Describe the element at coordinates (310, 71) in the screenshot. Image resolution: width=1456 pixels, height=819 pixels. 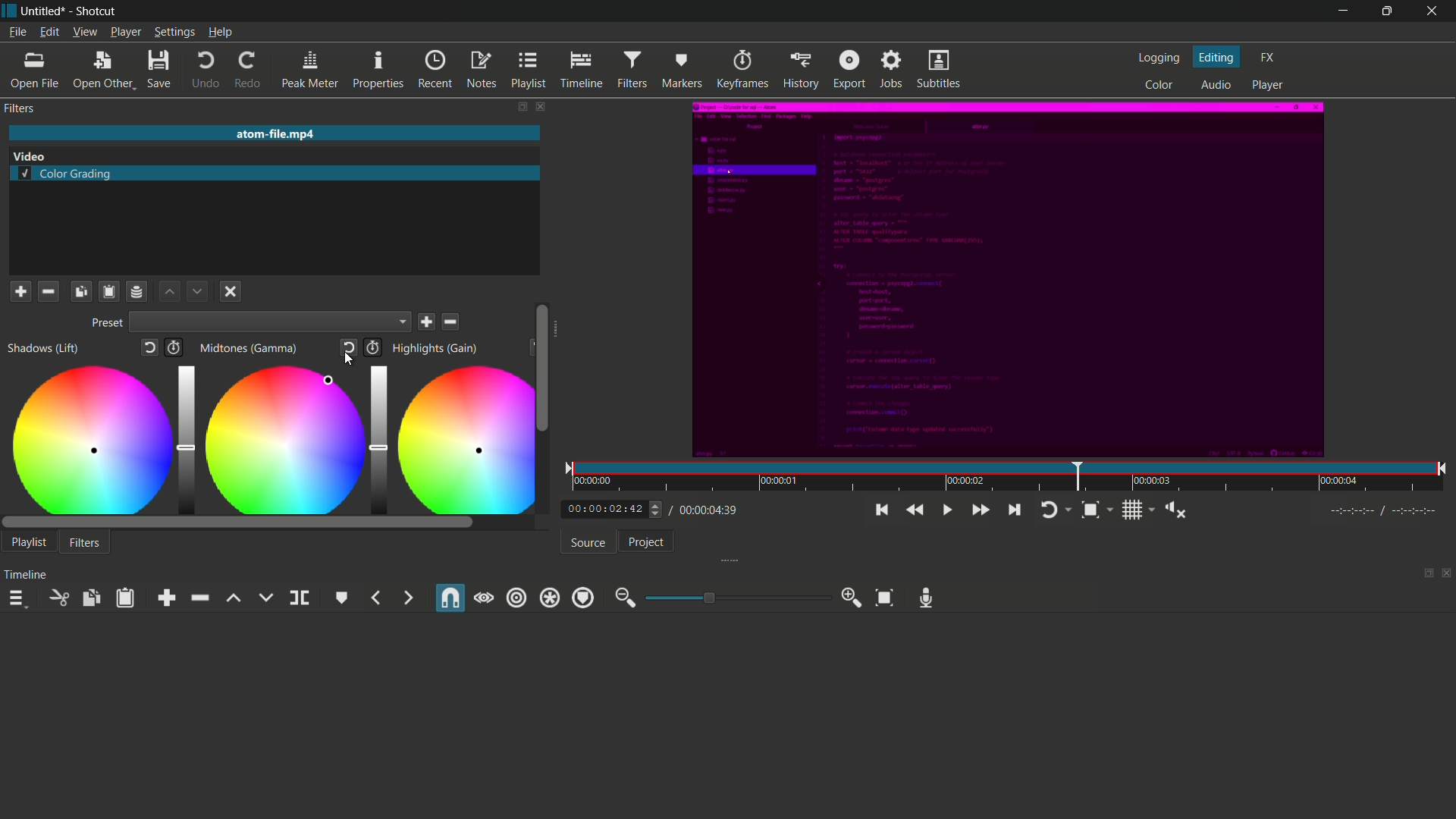
I see `peak meter` at that location.